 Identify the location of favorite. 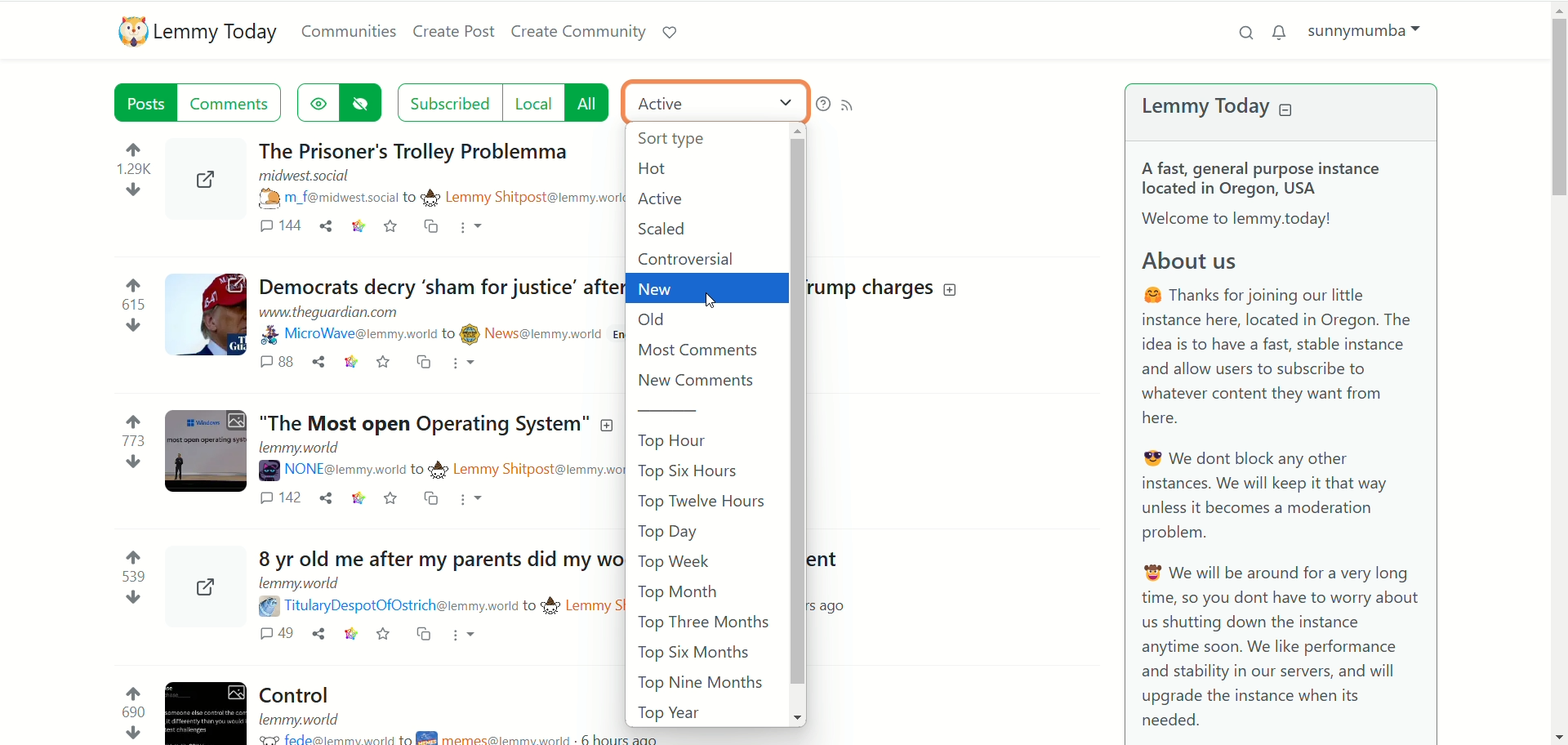
(381, 636).